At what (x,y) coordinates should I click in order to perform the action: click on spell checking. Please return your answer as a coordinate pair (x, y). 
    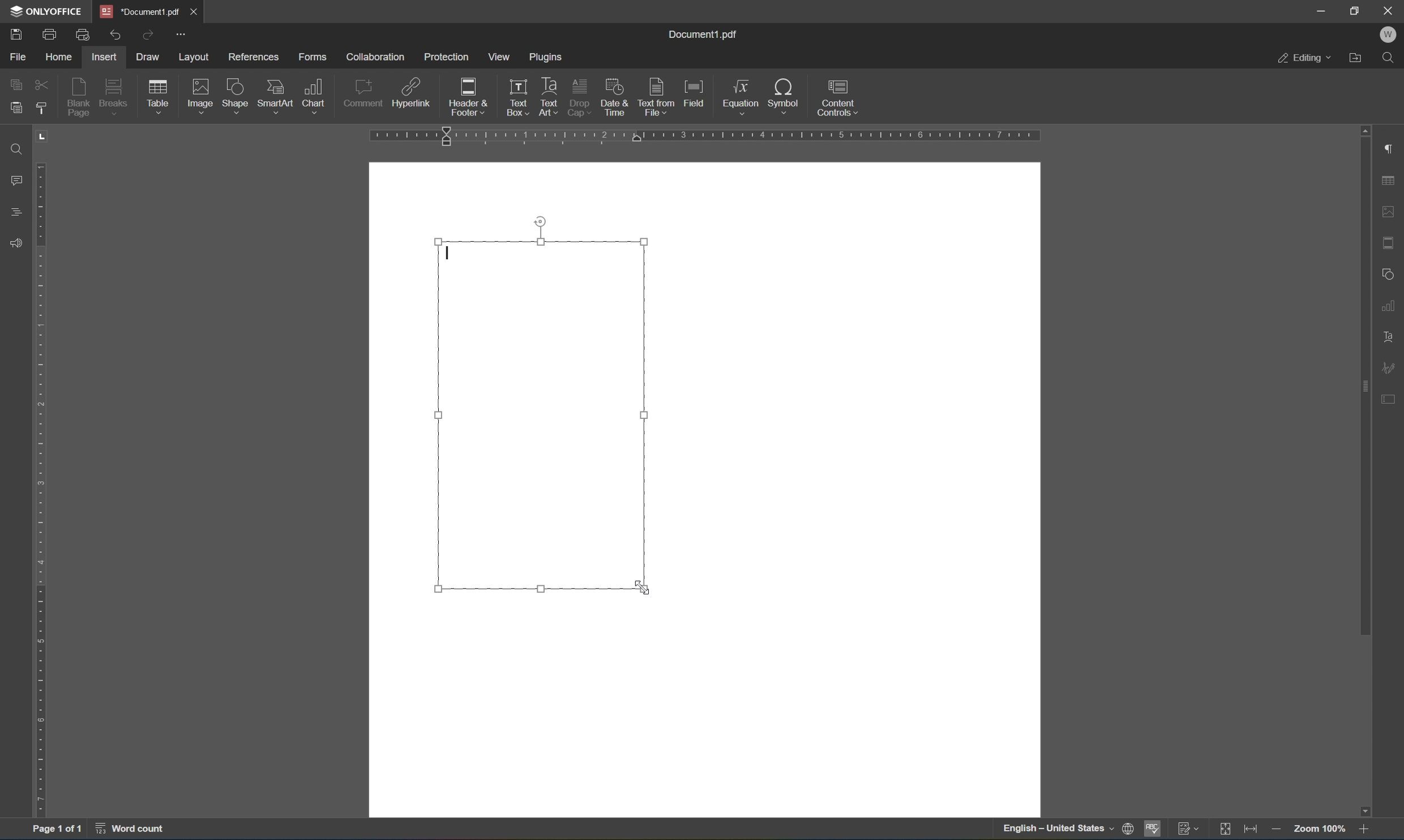
    Looking at the image, I should click on (1155, 828).